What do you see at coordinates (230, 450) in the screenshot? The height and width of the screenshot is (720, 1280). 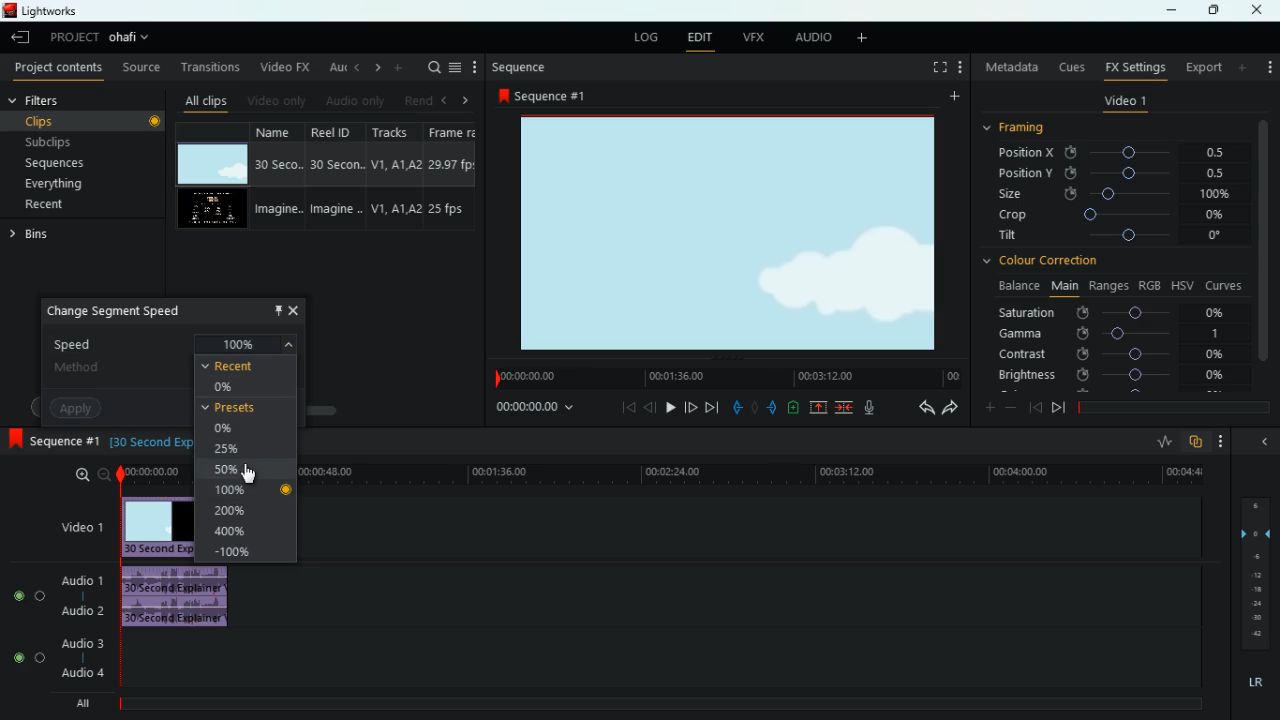 I see `25` at bounding box center [230, 450].